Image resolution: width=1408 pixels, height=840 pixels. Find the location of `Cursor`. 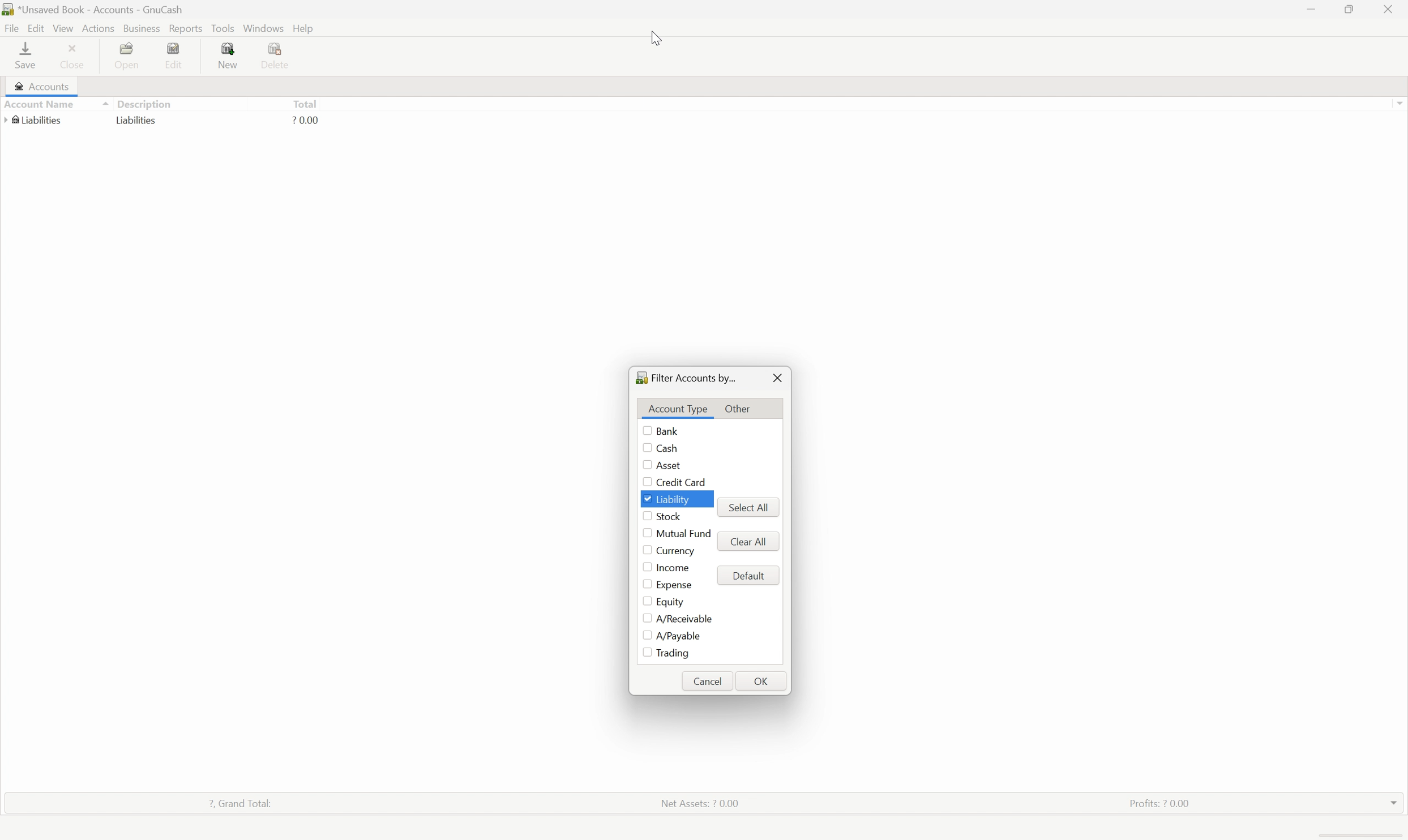

Cursor is located at coordinates (654, 36).